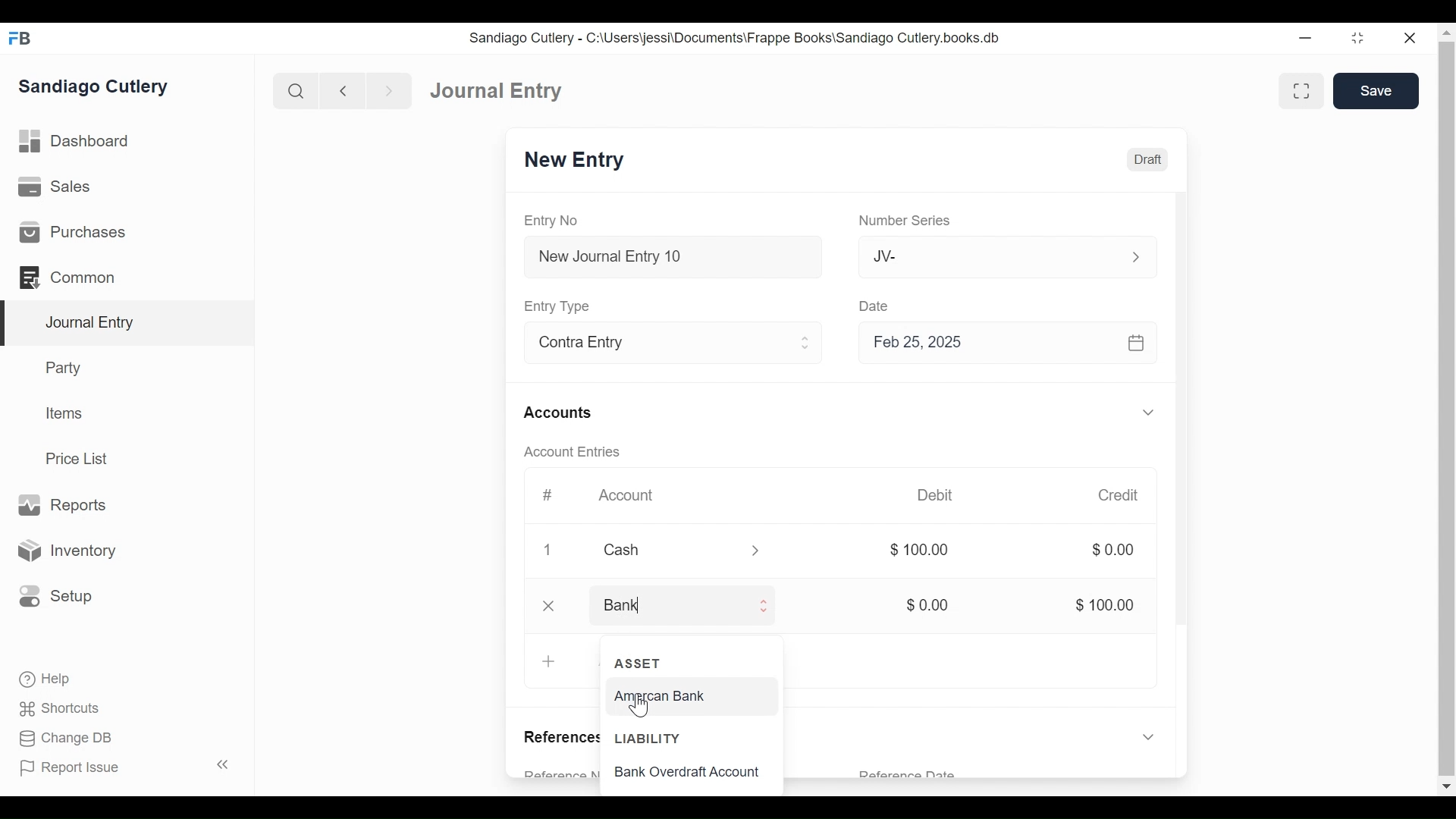 This screenshot has height=819, width=1456. Describe the element at coordinates (551, 494) in the screenshot. I see `#` at that location.